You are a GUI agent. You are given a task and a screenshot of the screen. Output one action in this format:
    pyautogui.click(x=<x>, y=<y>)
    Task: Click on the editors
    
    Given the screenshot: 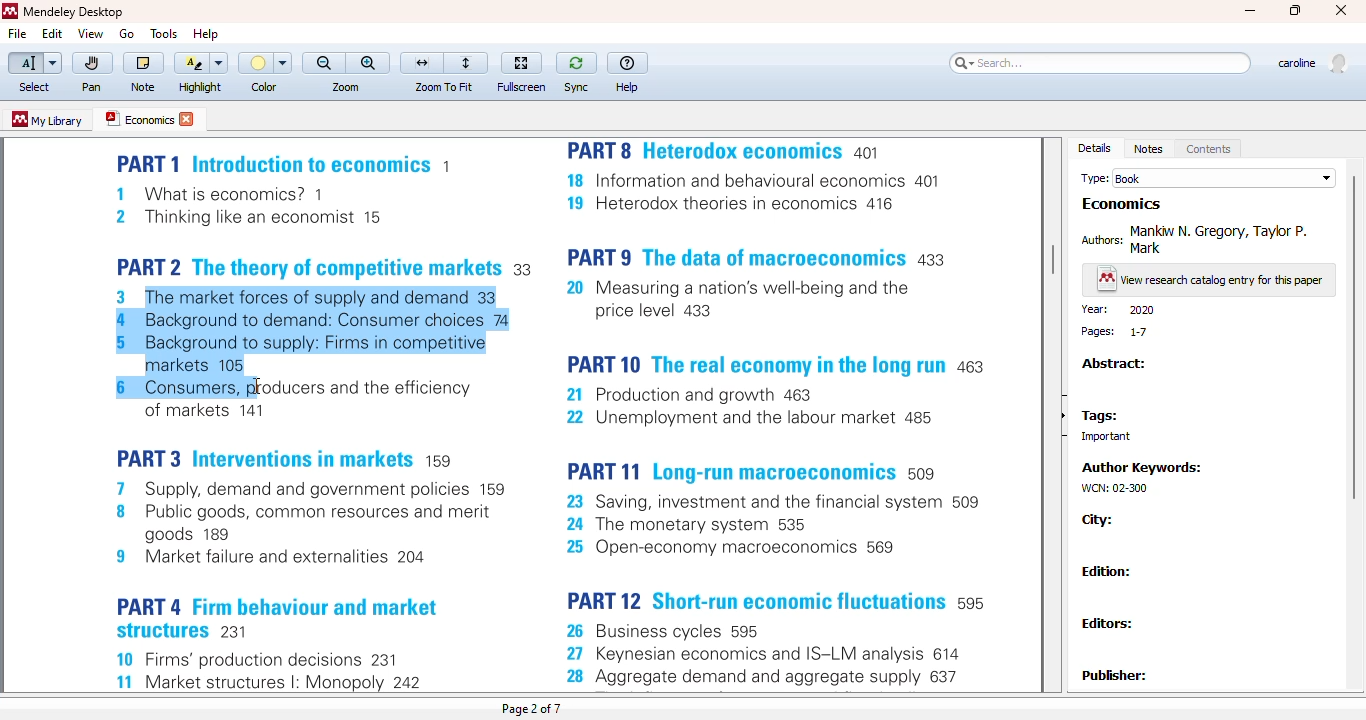 What is the action you would take?
    pyautogui.click(x=1110, y=622)
    